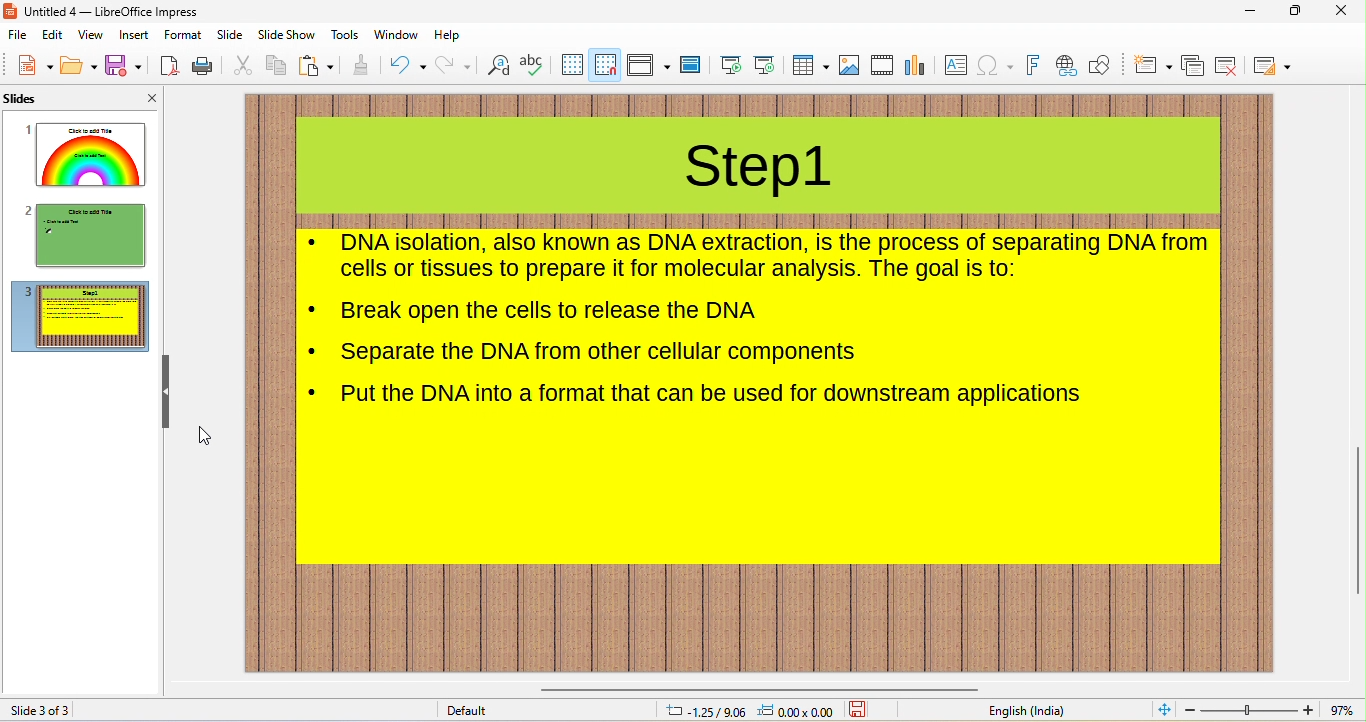 The height and width of the screenshot is (722, 1366). Describe the element at coordinates (1342, 710) in the screenshot. I see `97%` at that location.